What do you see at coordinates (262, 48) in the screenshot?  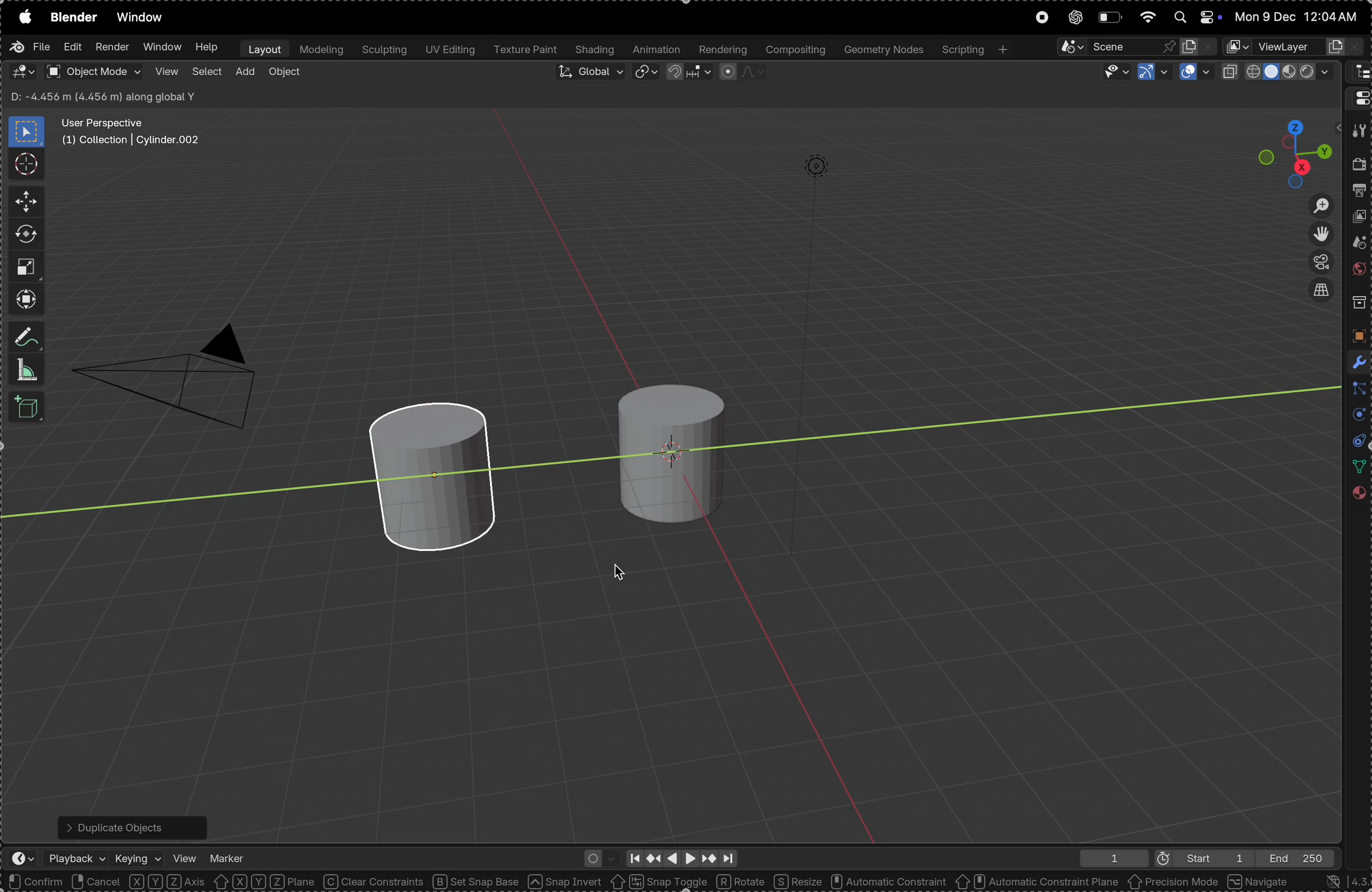 I see `layout` at bounding box center [262, 48].